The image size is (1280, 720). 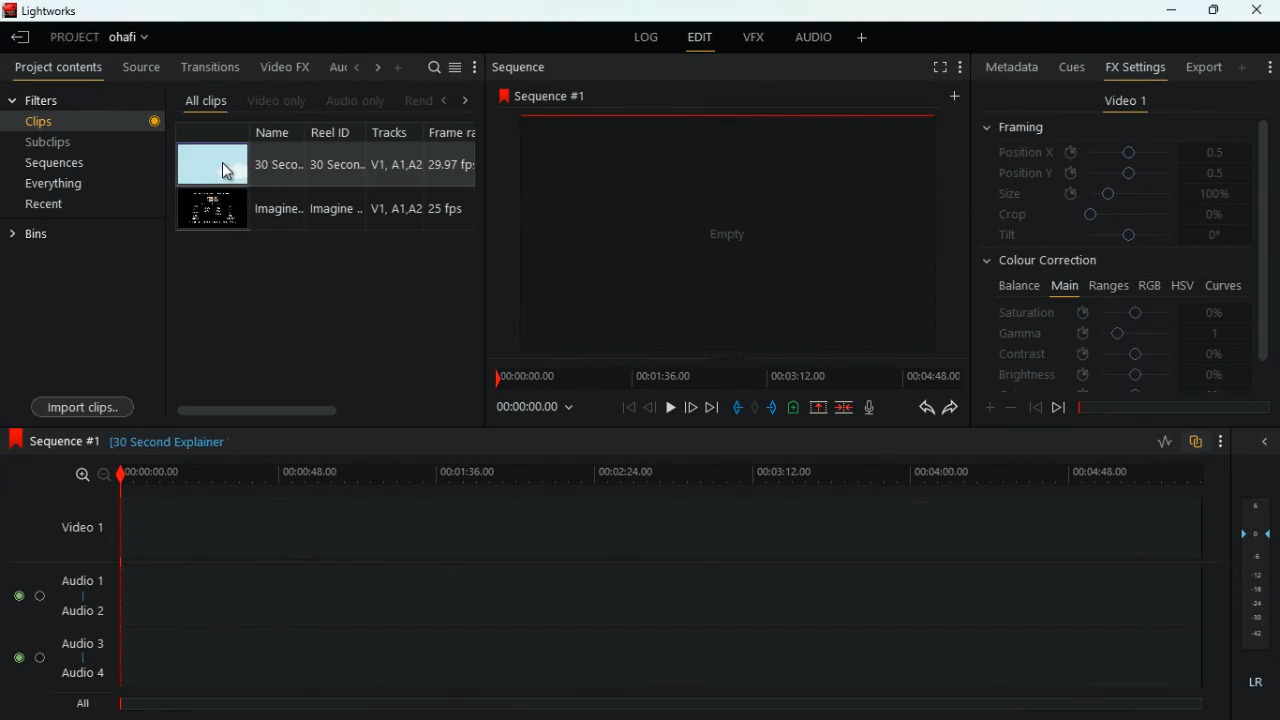 What do you see at coordinates (352, 101) in the screenshot?
I see `audio only` at bounding box center [352, 101].